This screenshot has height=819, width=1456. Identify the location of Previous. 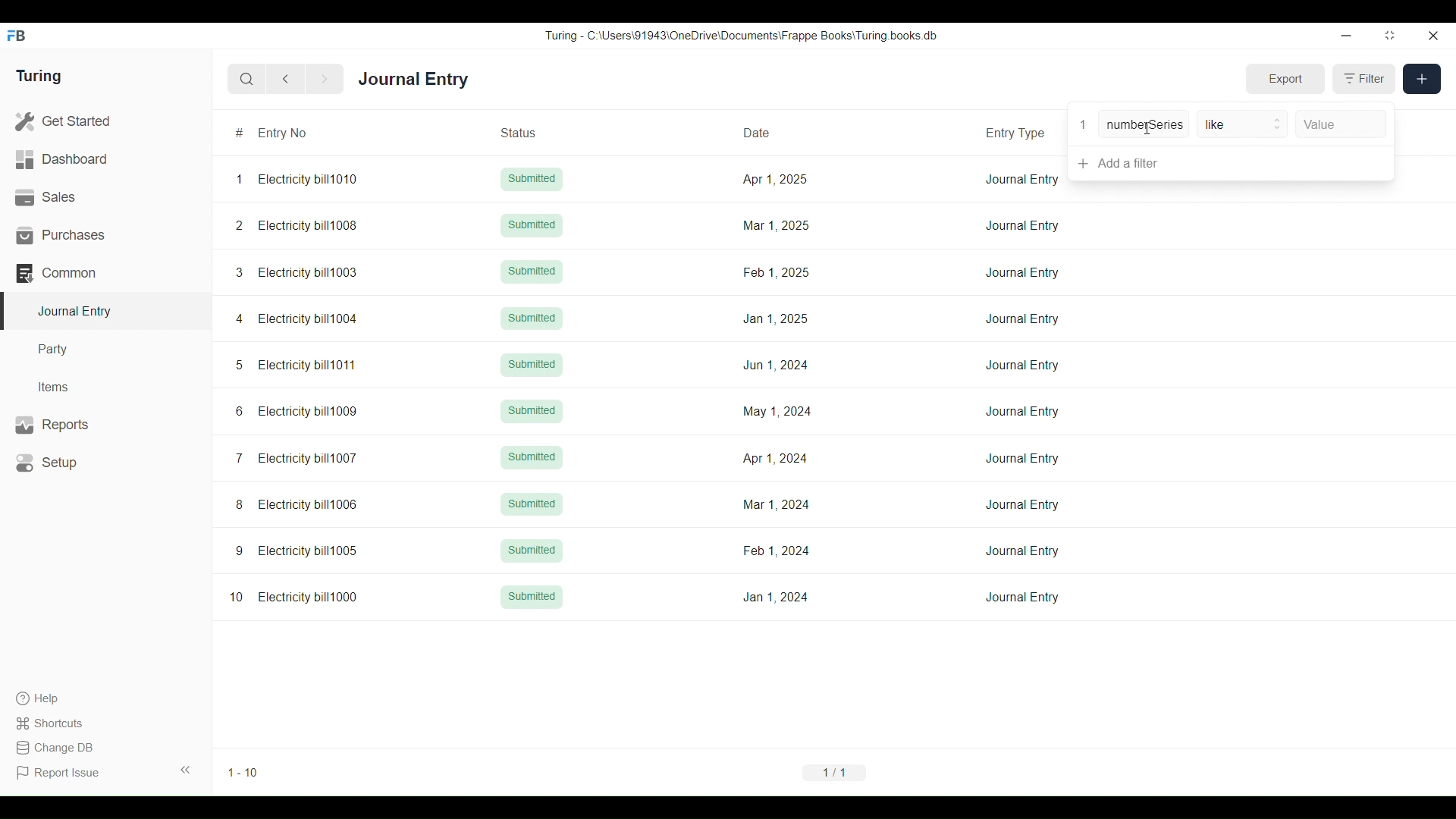
(286, 79).